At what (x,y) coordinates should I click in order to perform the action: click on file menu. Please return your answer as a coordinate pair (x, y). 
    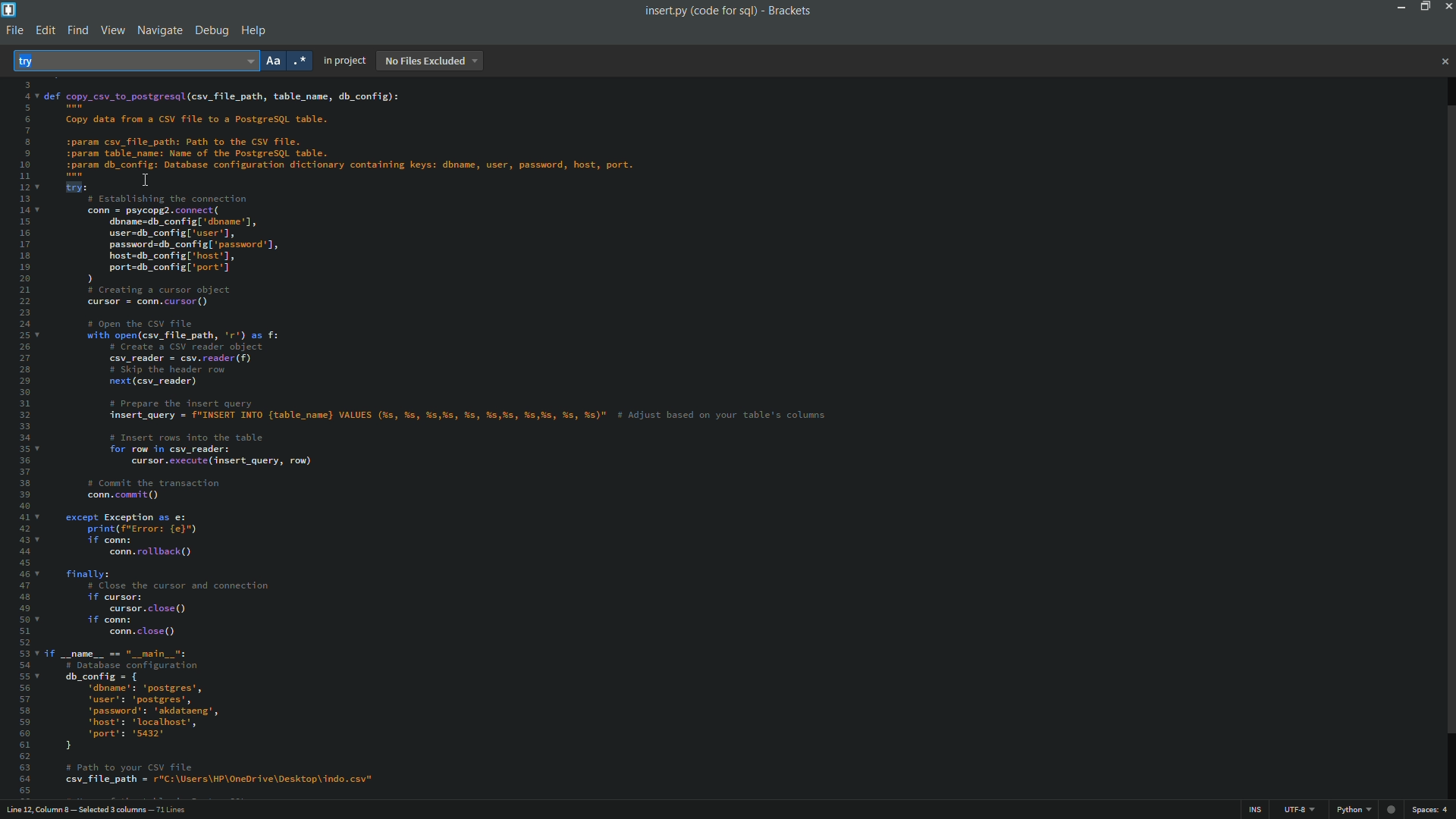
    Looking at the image, I should click on (12, 32).